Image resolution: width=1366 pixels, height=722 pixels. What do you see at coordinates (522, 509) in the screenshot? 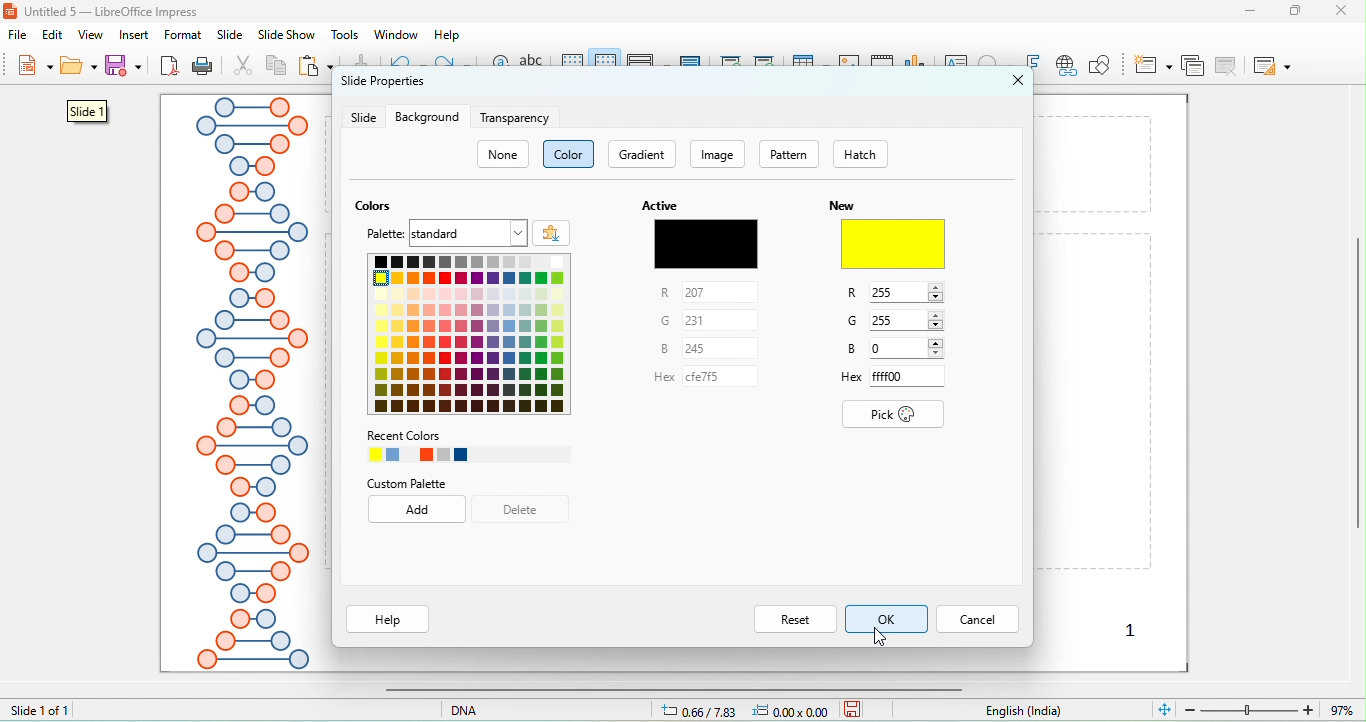
I see `delete` at bounding box center [522, 509].